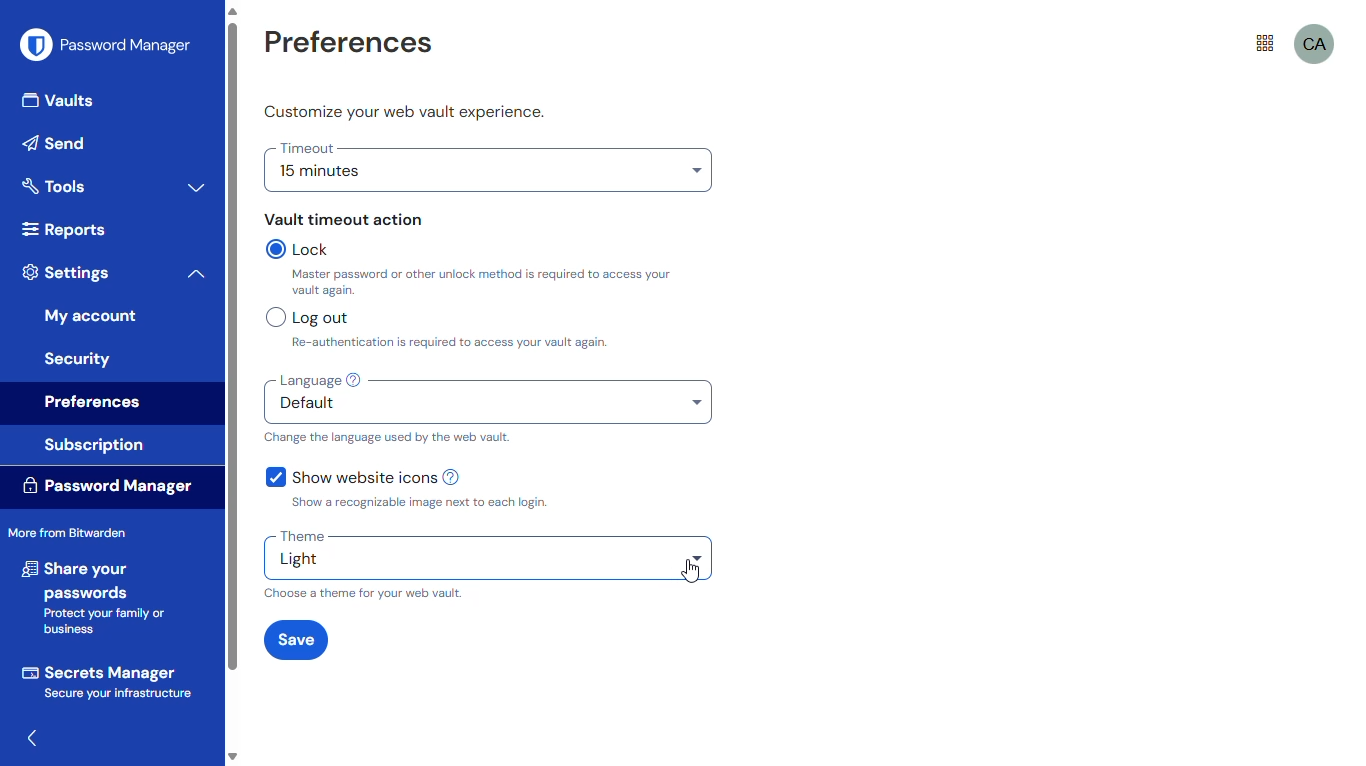  Describe the element at coordinates (107, 44) in the screenshot. I see `password manager` at that location.